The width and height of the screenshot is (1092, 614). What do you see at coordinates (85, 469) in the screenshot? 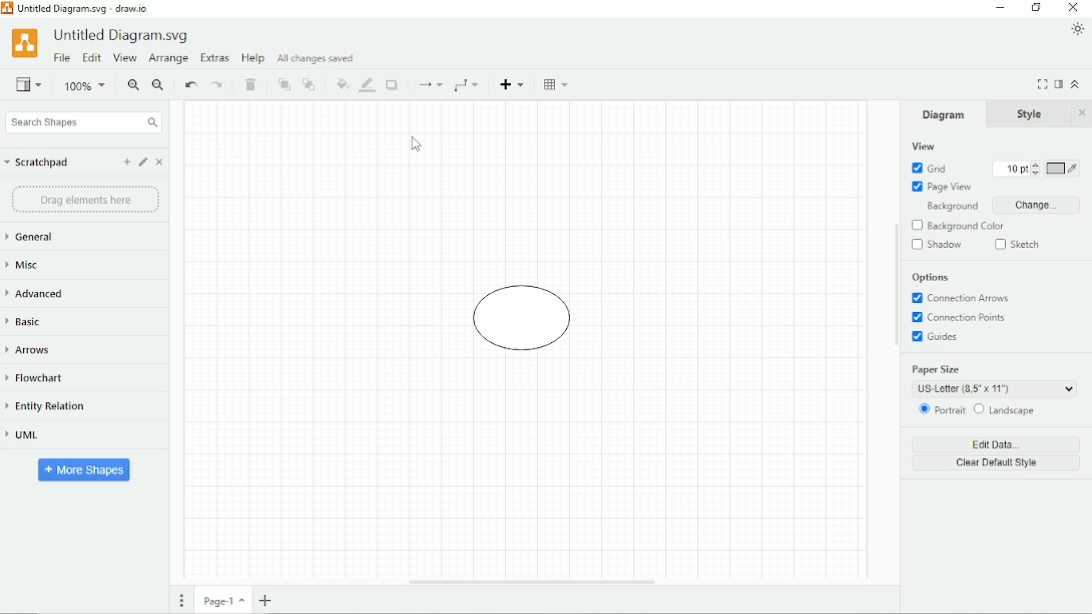
I see `More Shapes` at bounding box center [85, 469].